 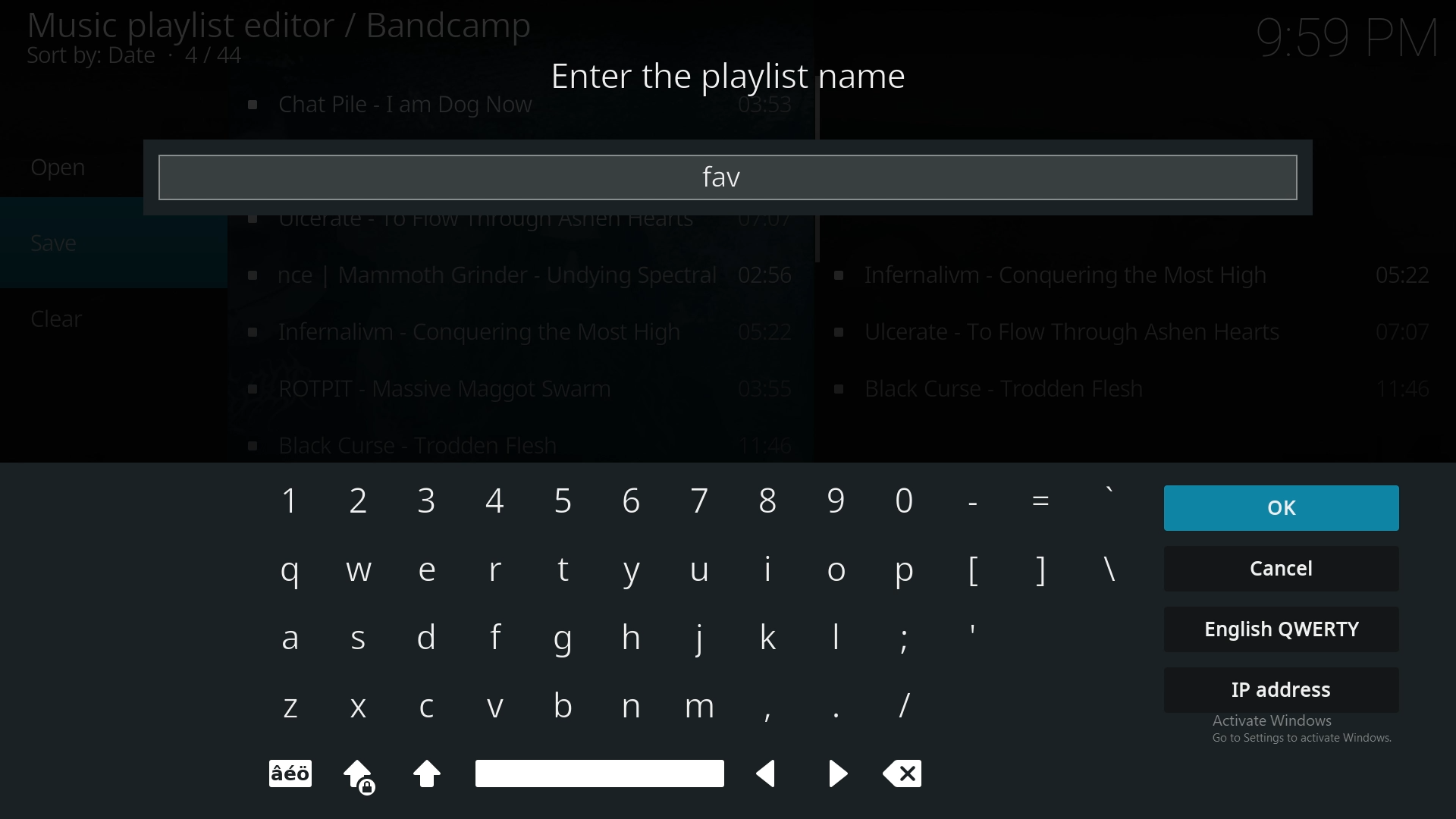 I want to click on keyboard input, so click(x=281, y=500).